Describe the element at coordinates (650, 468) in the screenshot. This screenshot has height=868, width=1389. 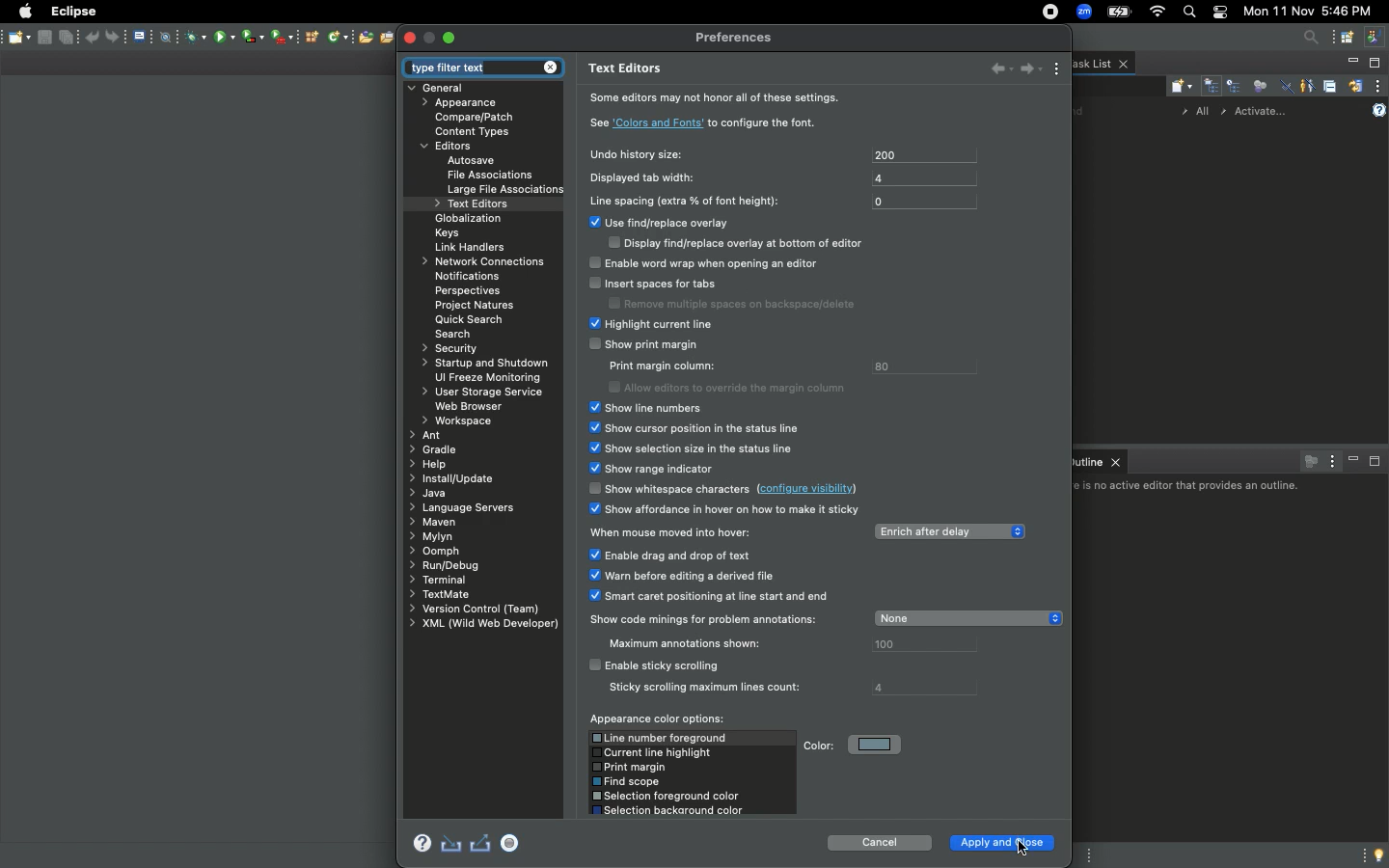
I see `Show range indicator` at that location.